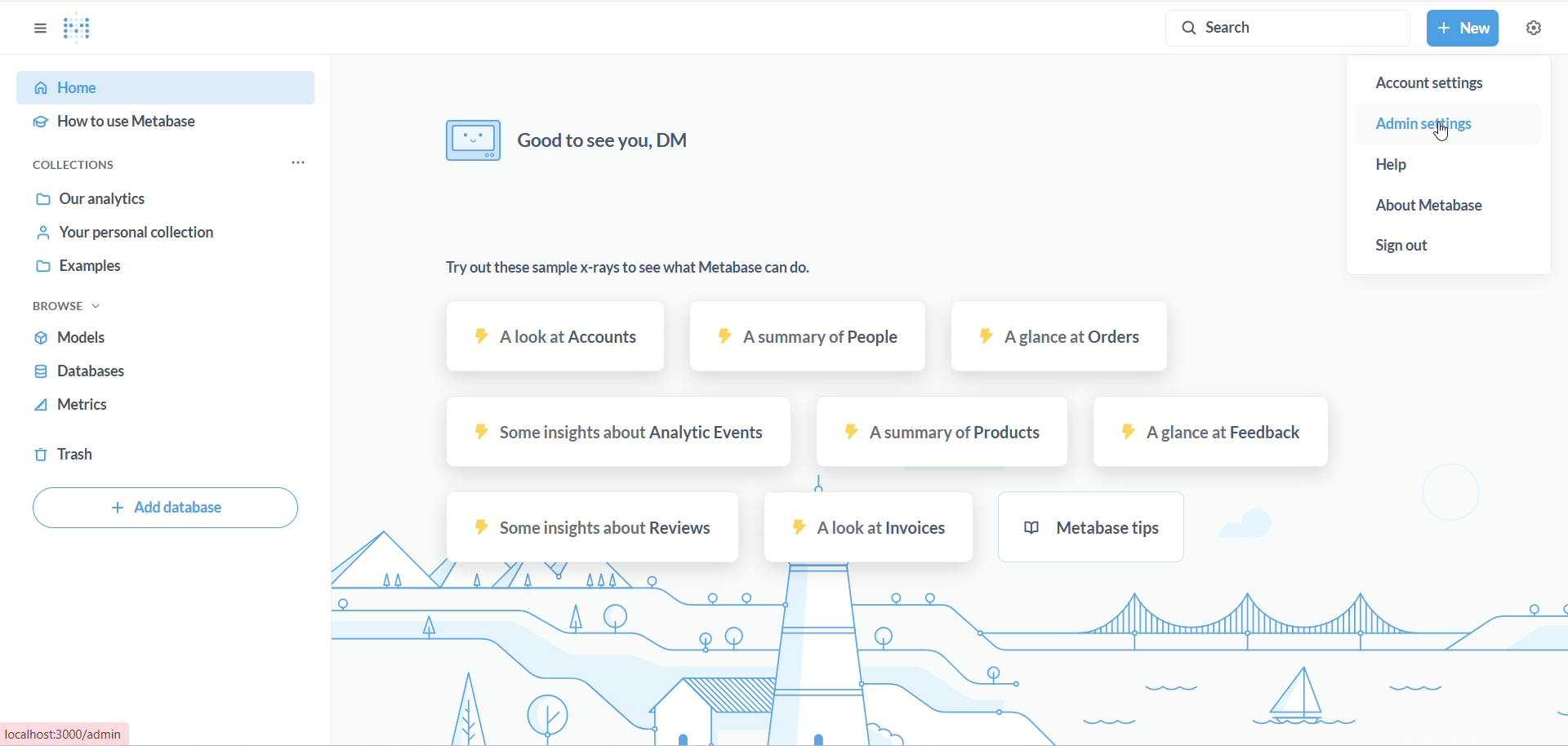 The height and width of the screenshot is (746, 1568). I want to click on account settings, so click(1425, 87).